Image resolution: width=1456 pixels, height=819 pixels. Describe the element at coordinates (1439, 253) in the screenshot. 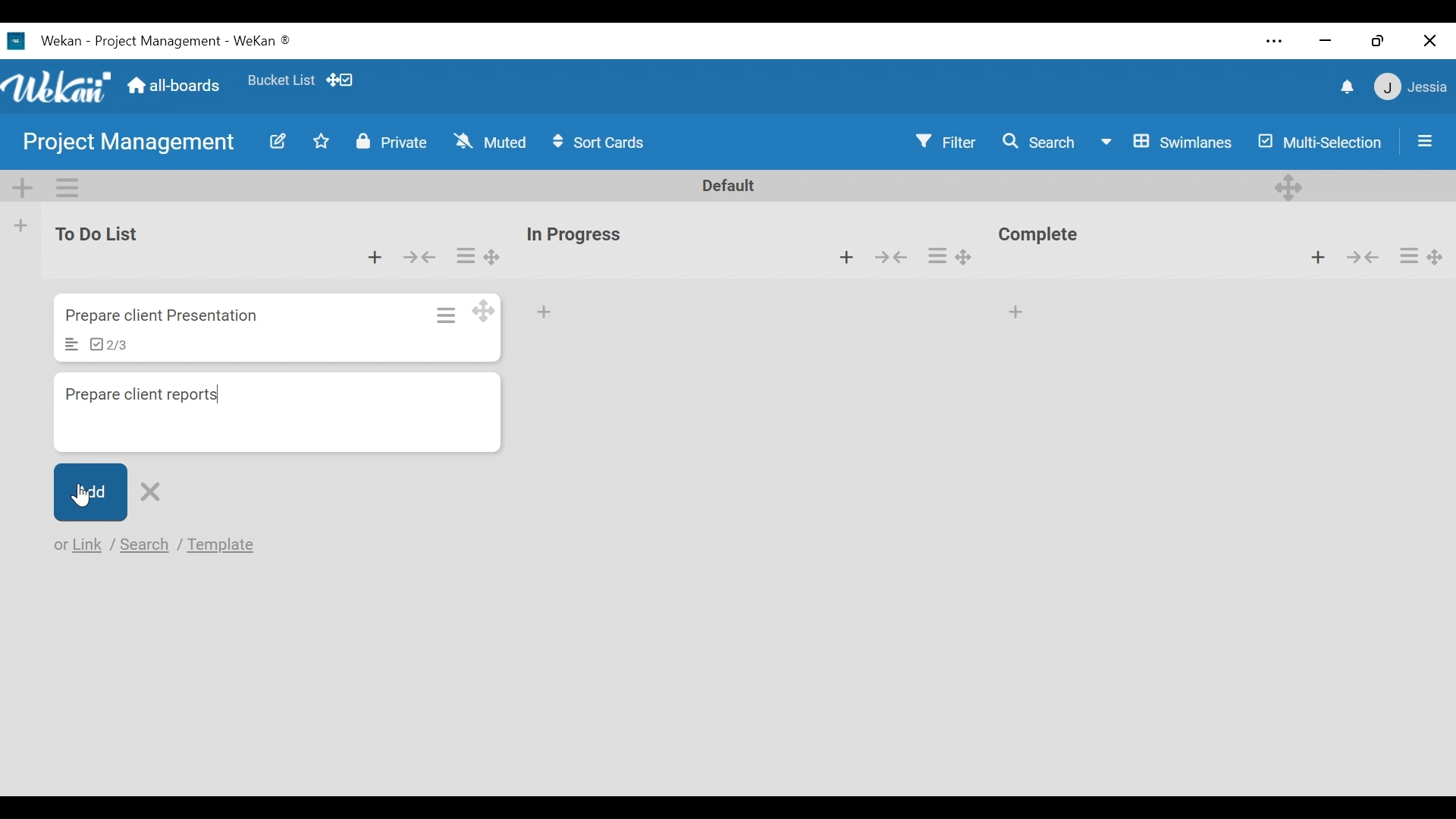

I see `Desktop drag handles` at that location.